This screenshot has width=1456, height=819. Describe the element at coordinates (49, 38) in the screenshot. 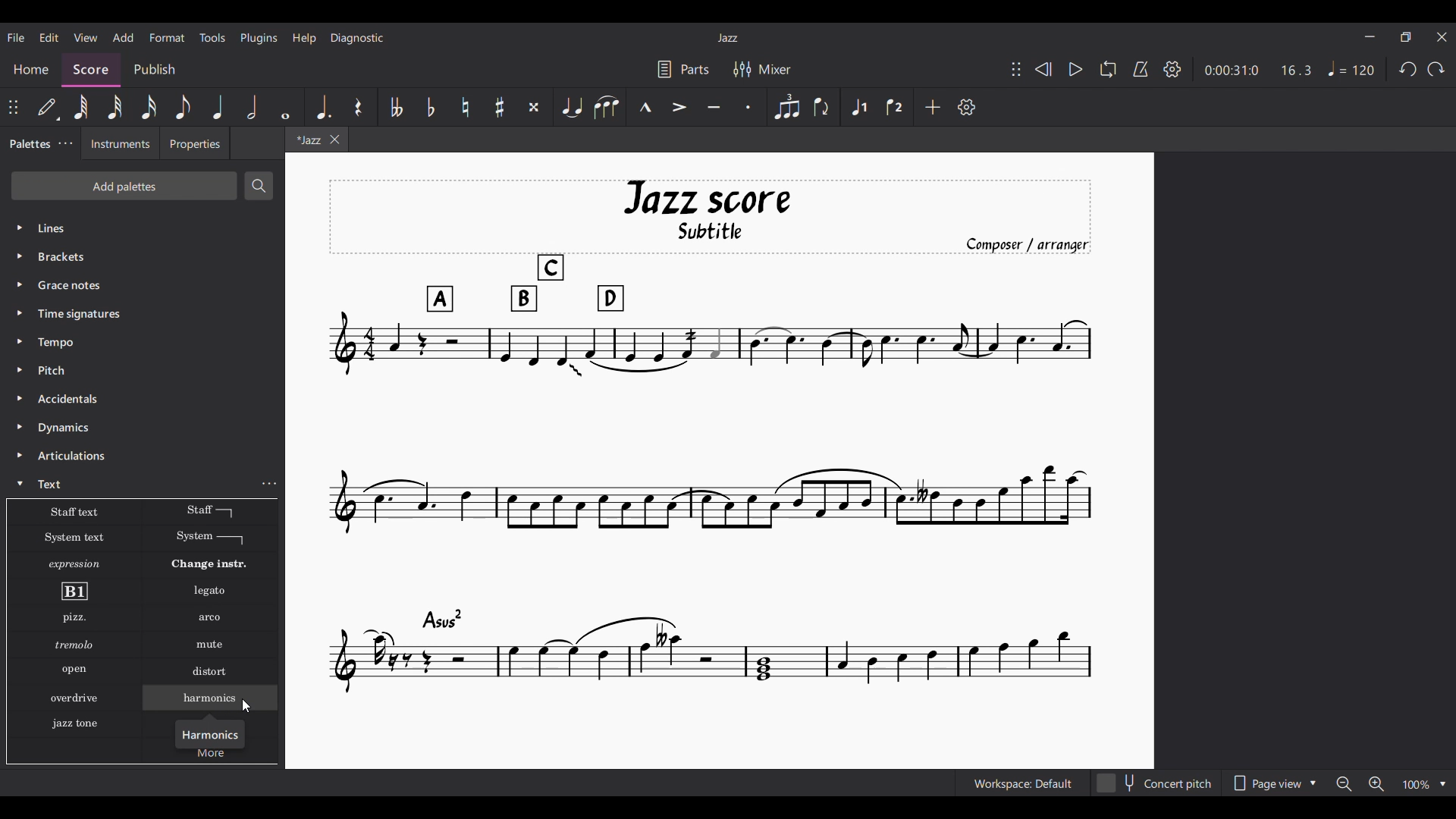

I see `Edit menu` at that location.